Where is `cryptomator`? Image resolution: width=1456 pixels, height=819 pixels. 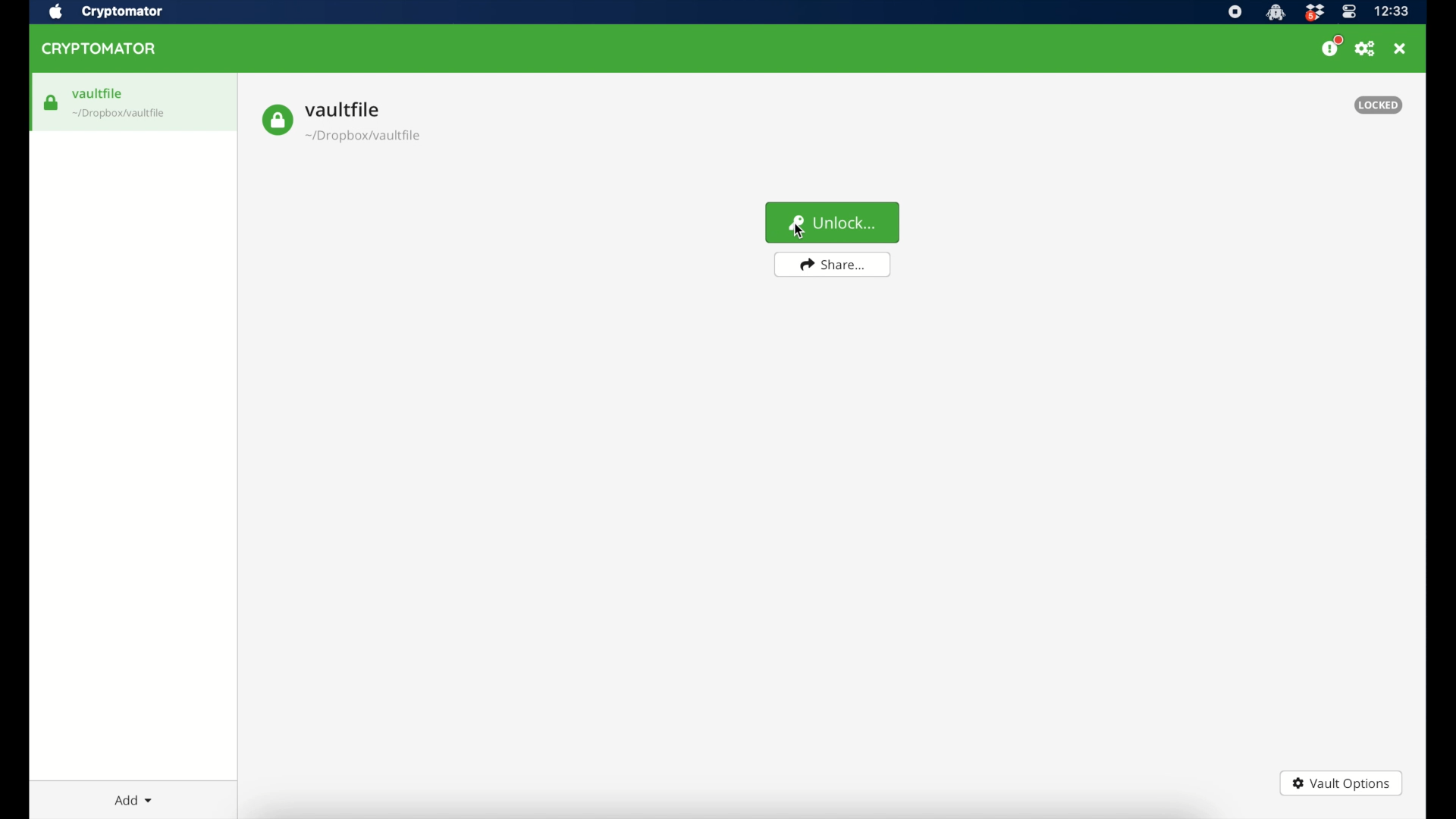 cryptomator is located at coordinates (99, 48).